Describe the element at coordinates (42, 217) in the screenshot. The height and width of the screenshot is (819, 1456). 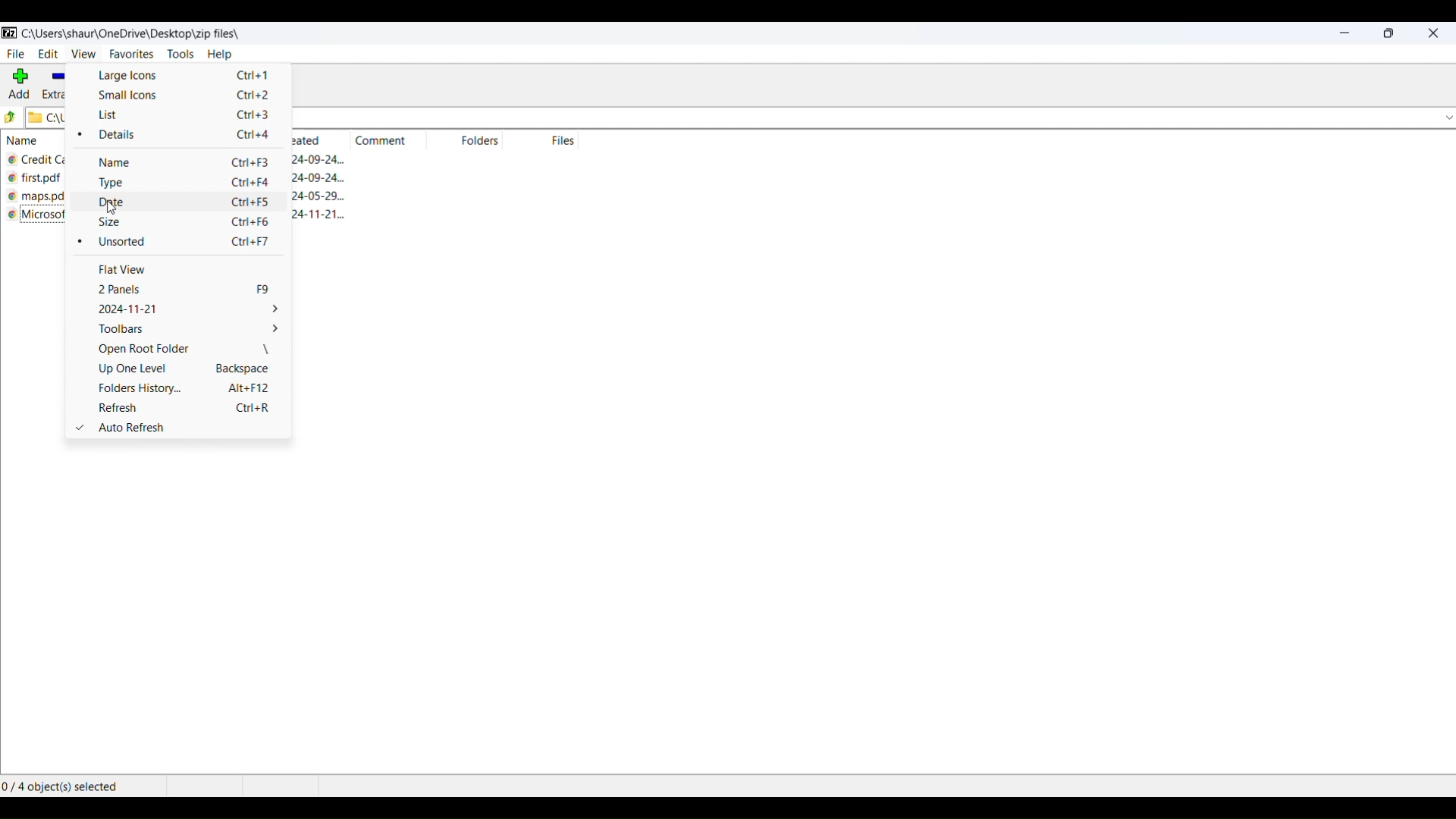
I see `` at that location.